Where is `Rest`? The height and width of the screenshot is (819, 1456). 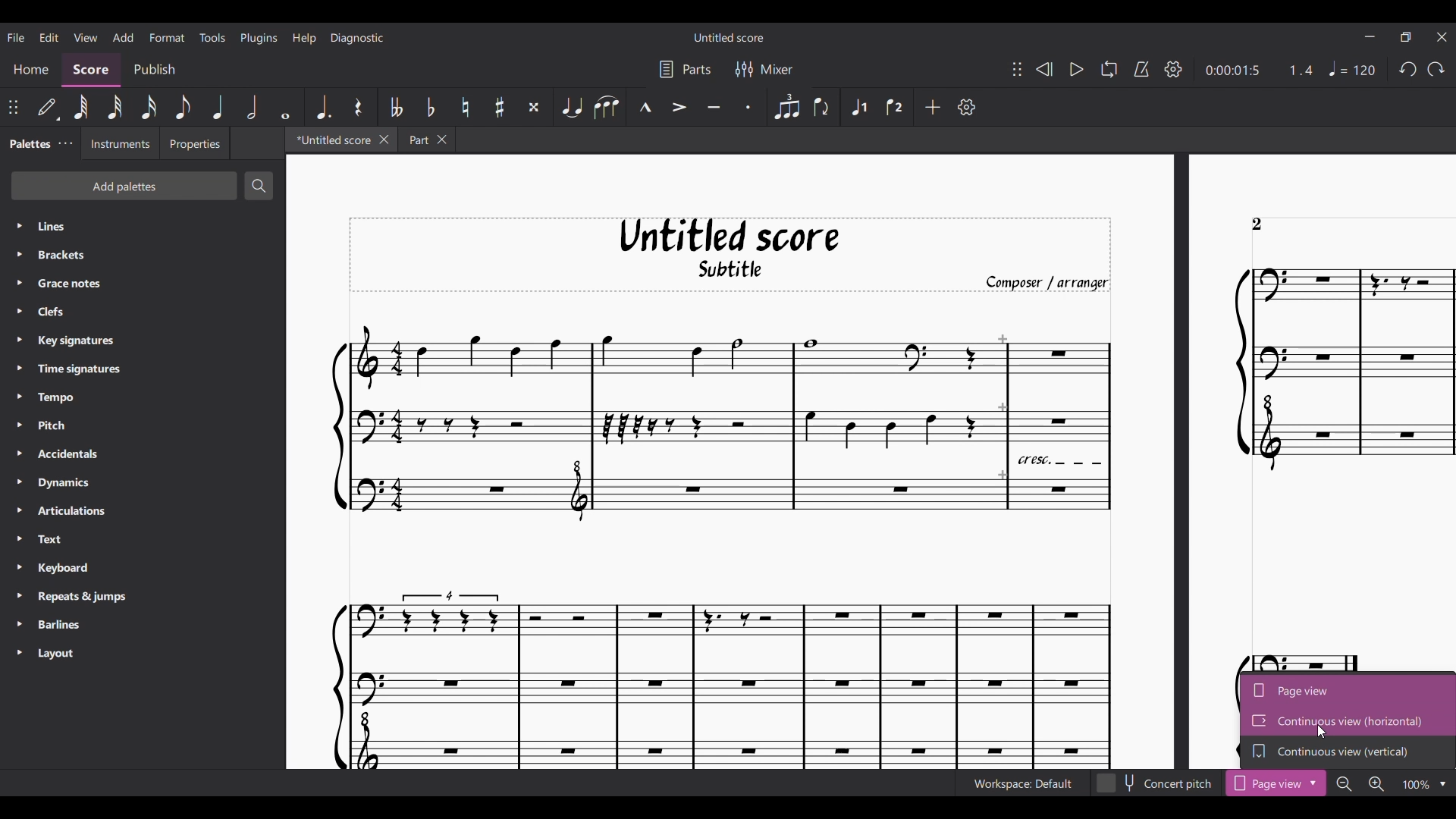 Rest is located at coordinates (359, 106).